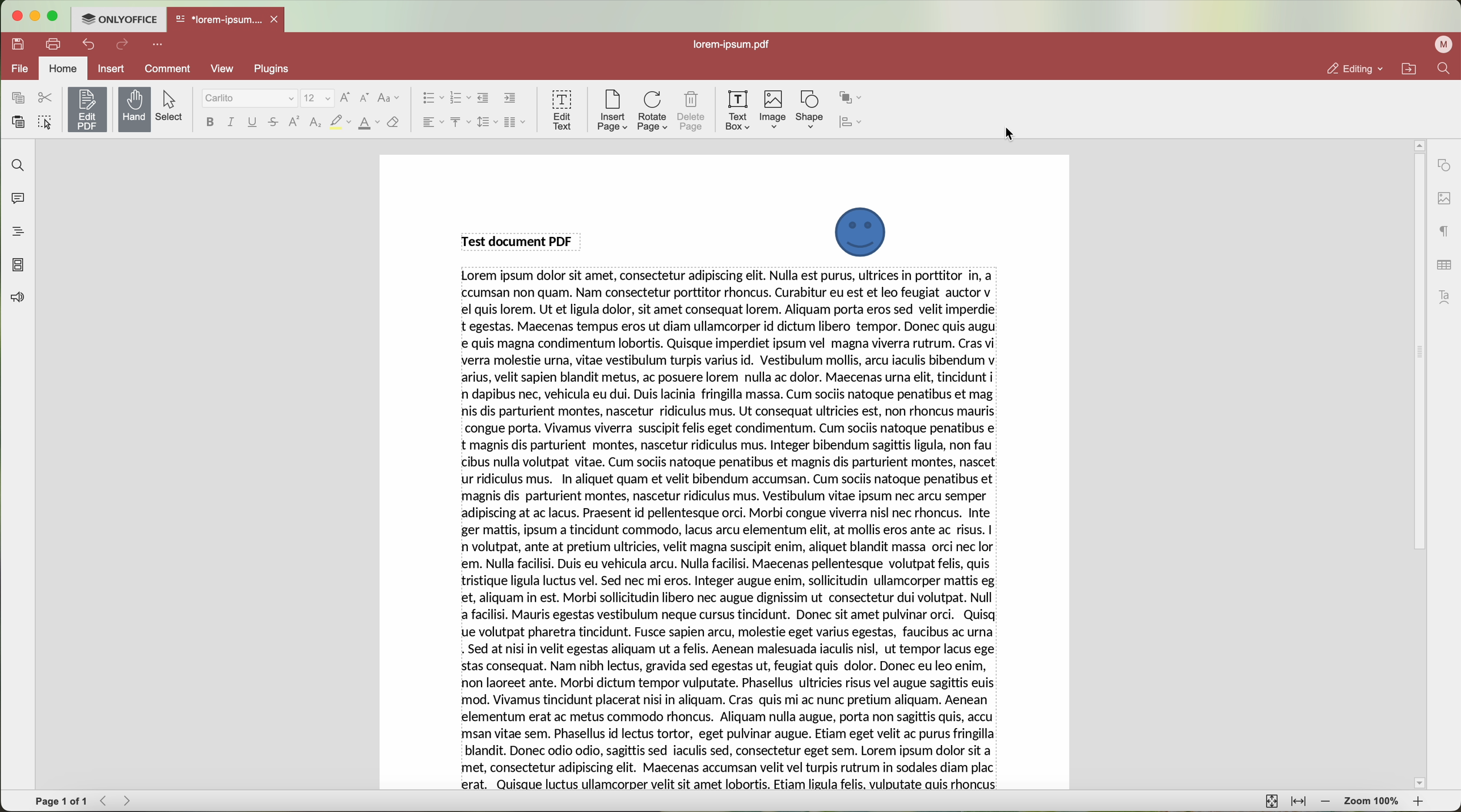 Image resolution: width=1461 pixels, height=812 pixels. Describe the element at coordinates (253, 122) in the screenshot. I see `underline` at that location.